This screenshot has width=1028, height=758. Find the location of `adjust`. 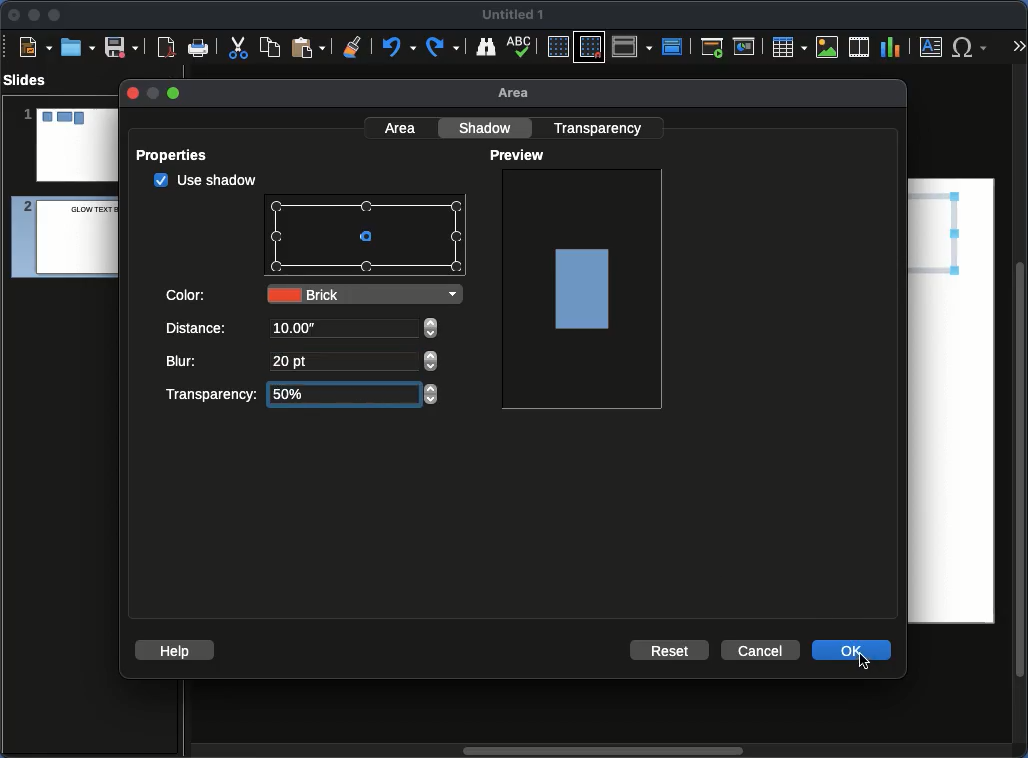

adjust is located at coordinates (431, 361).